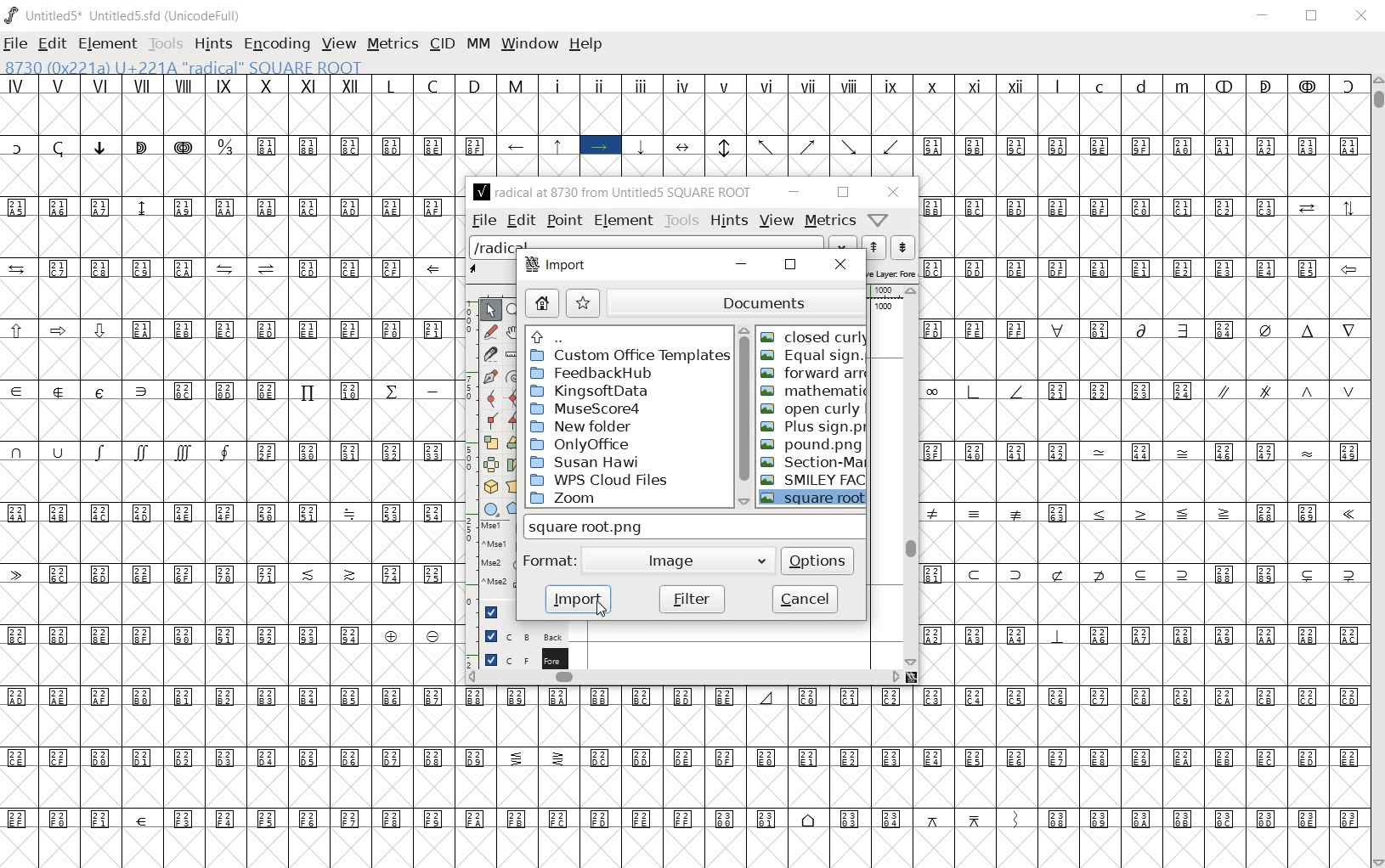 The image size is (1385, 868). Describe the element at coordinates (490, 509) in the screenshot. I see `rectangle or ellipse` at that location.